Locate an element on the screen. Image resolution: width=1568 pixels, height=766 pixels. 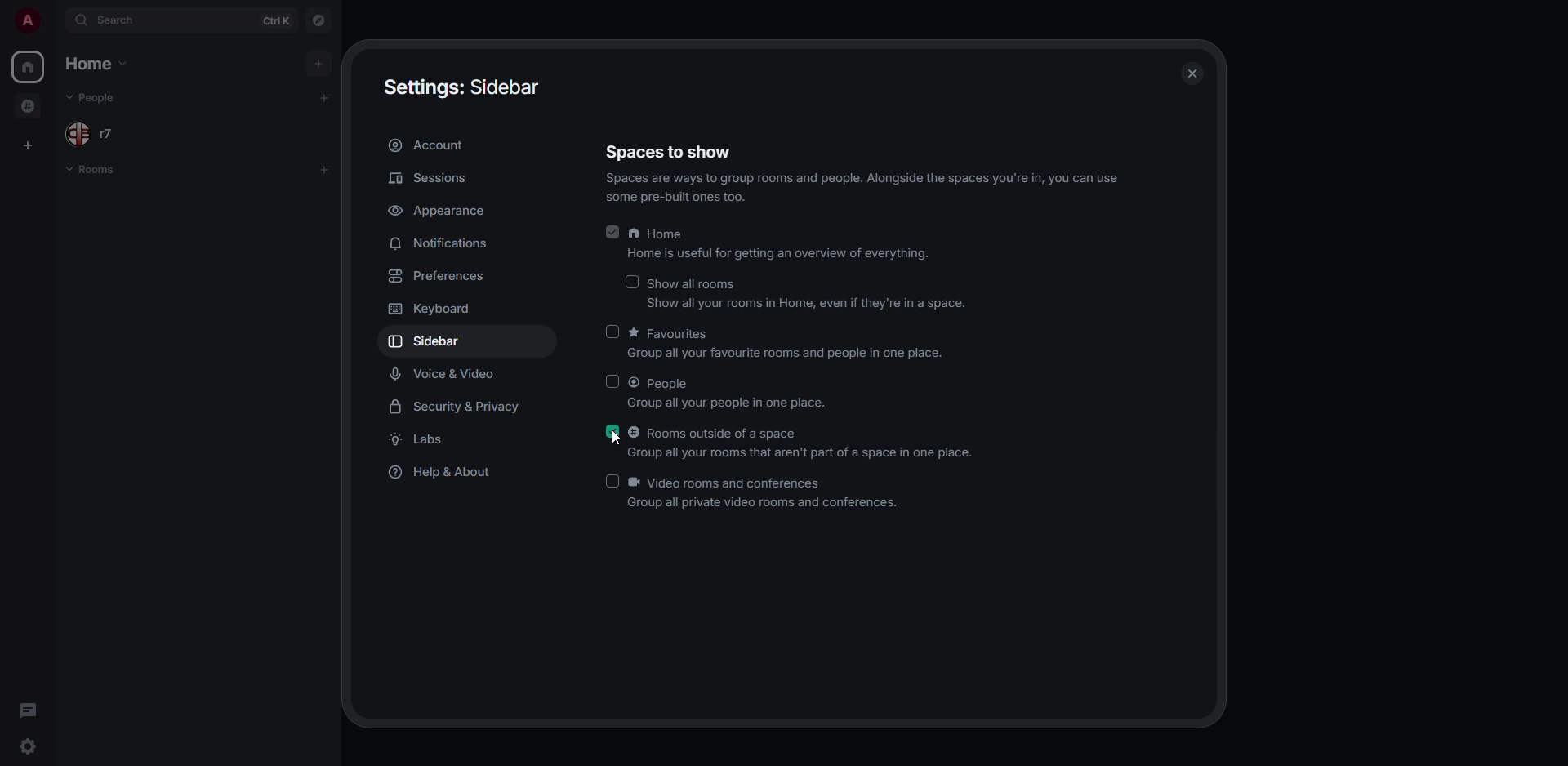
add is located at coordinates (325, 169).